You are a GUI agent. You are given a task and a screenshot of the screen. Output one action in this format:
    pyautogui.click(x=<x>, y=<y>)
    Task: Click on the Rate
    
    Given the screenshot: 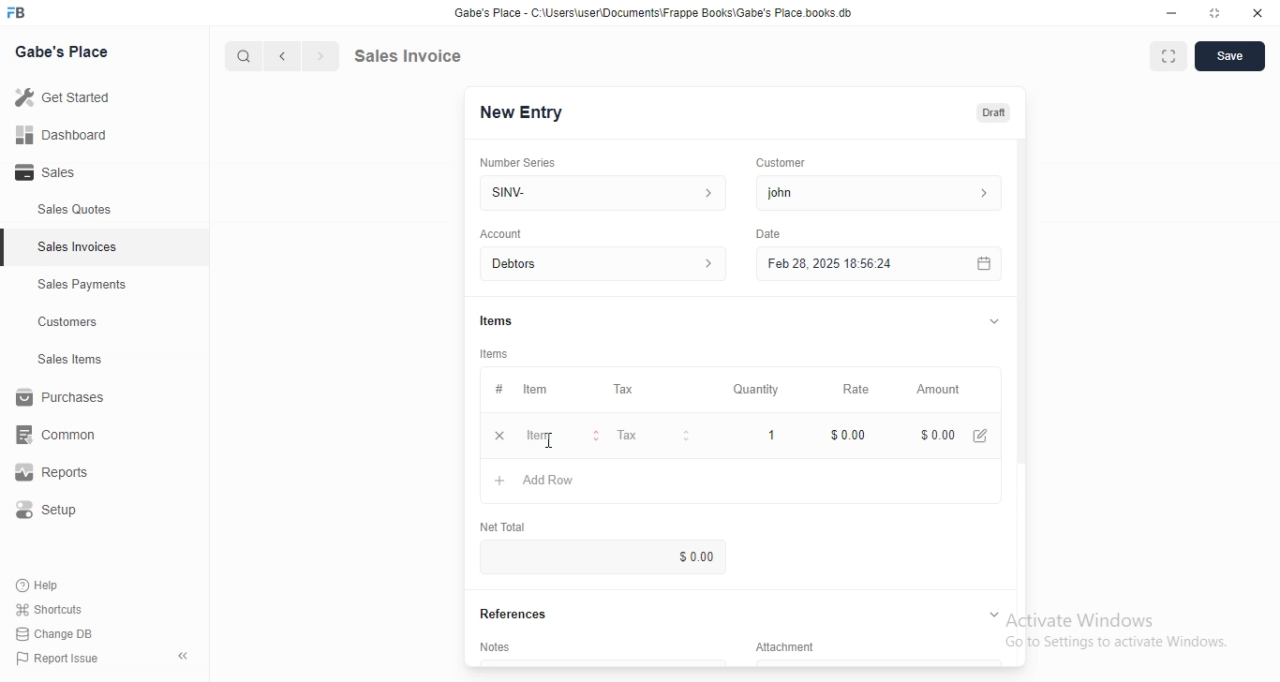 What is the action you would take?
    pyautogui.click(x=853, y=389)
    